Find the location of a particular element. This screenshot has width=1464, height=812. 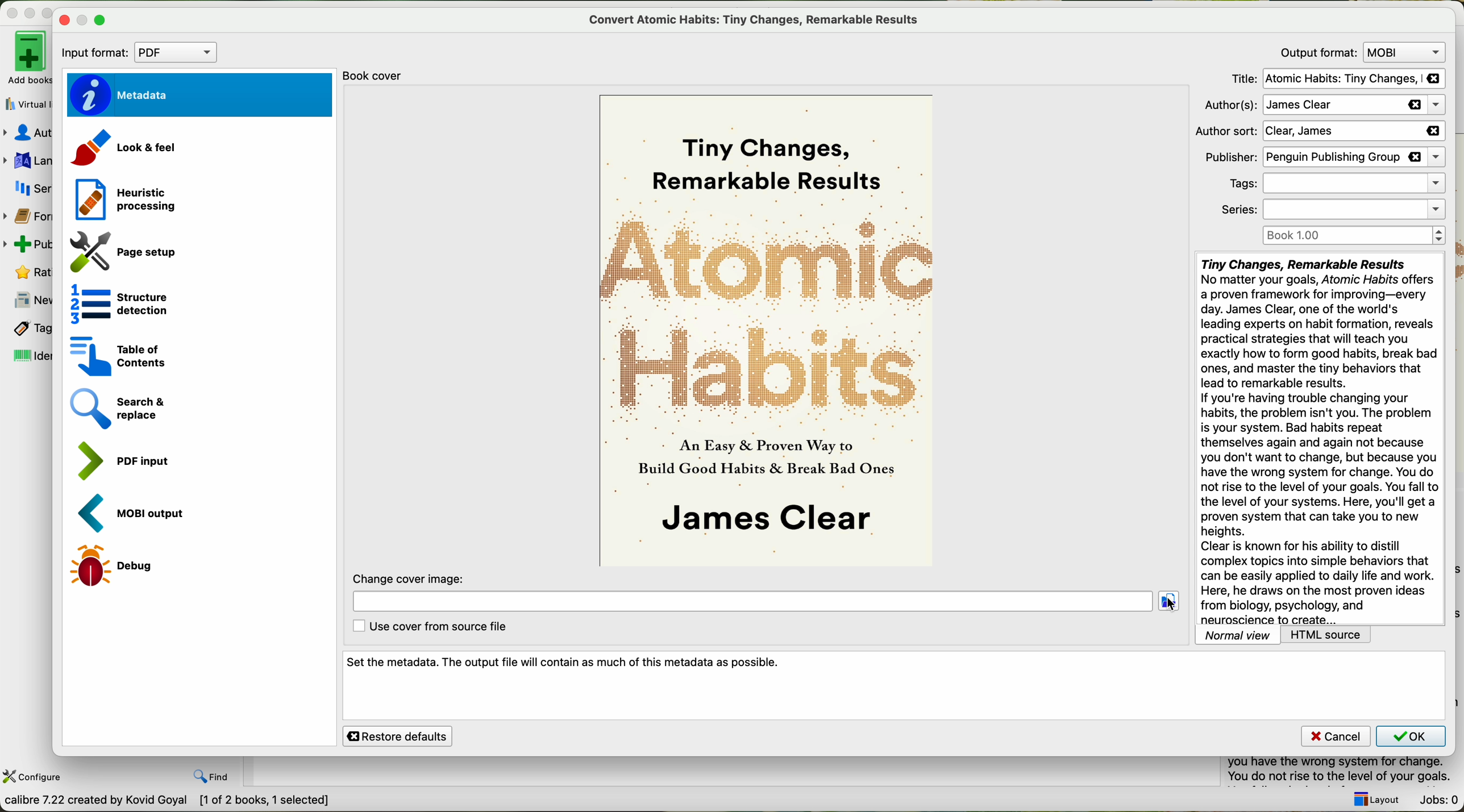

click on folder location is located at coordinates (1172, 602).